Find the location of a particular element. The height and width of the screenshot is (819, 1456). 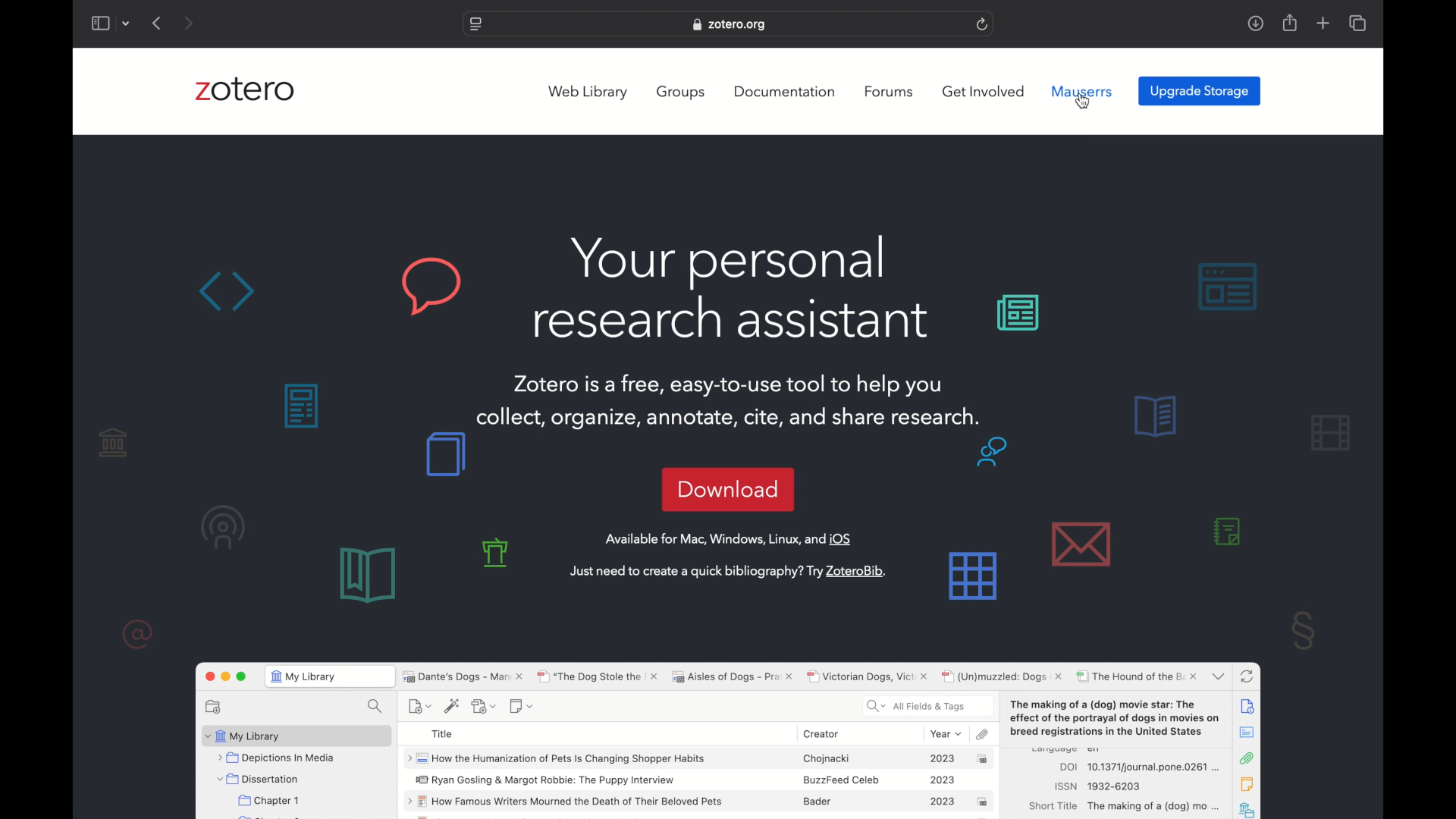

previous is located at coordinates (158, 24).